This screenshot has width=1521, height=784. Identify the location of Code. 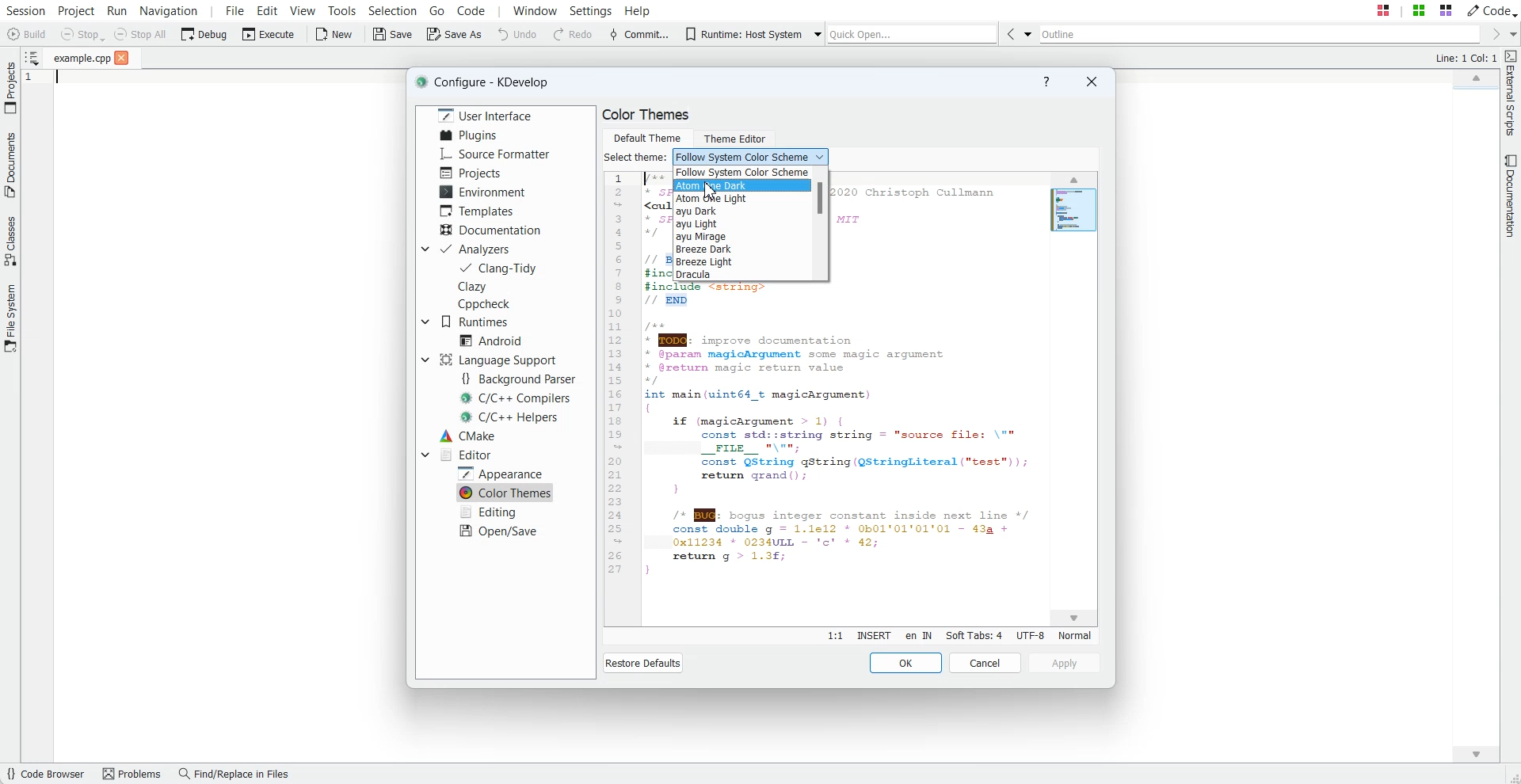
(1492, 10).